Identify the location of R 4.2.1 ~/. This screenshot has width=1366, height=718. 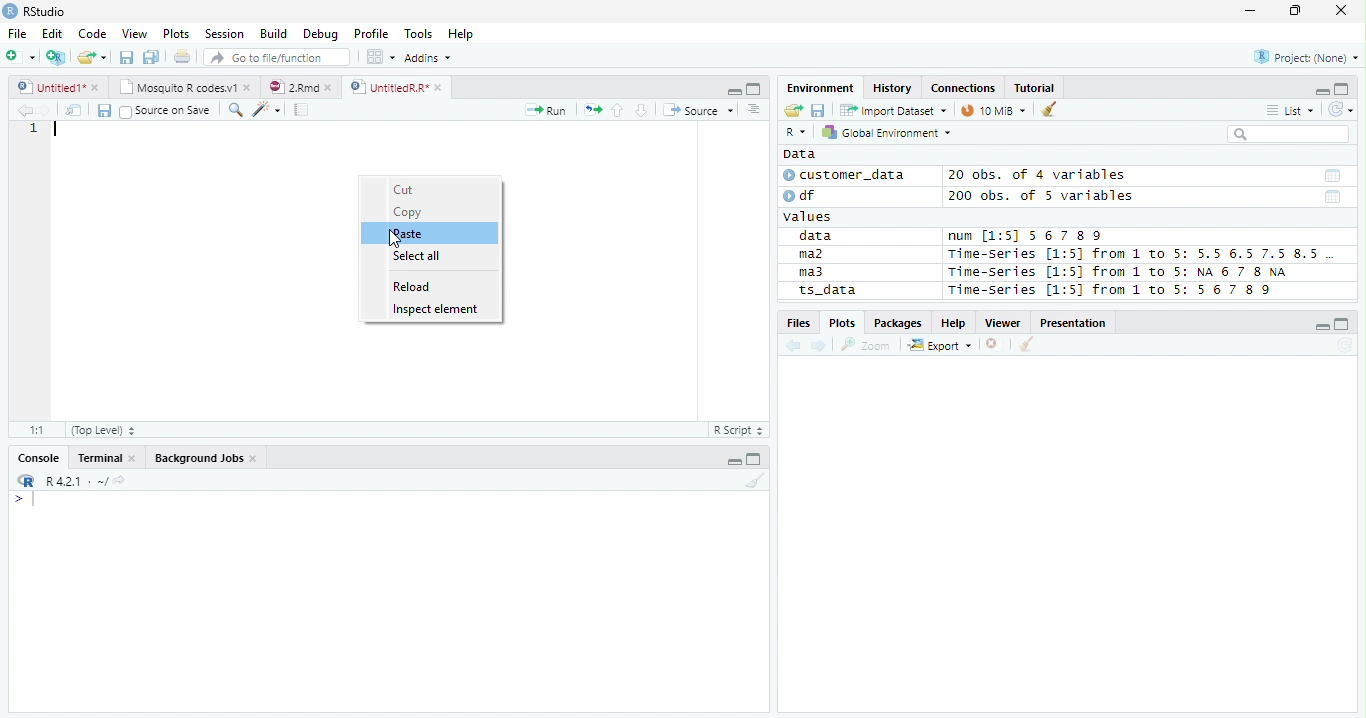
(75, 480).